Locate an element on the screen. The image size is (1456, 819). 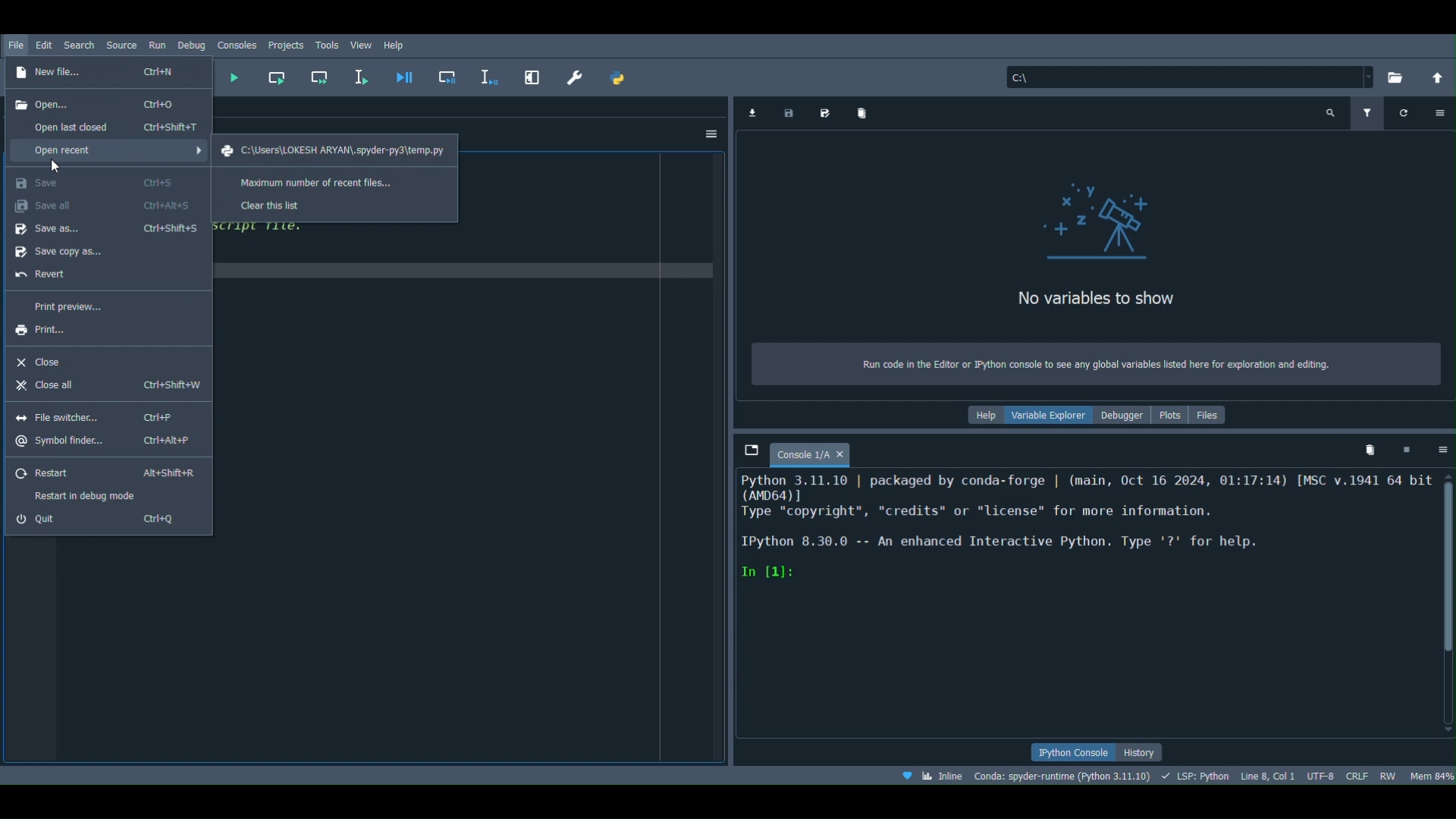
Revert is located at coordinates (90, 275).